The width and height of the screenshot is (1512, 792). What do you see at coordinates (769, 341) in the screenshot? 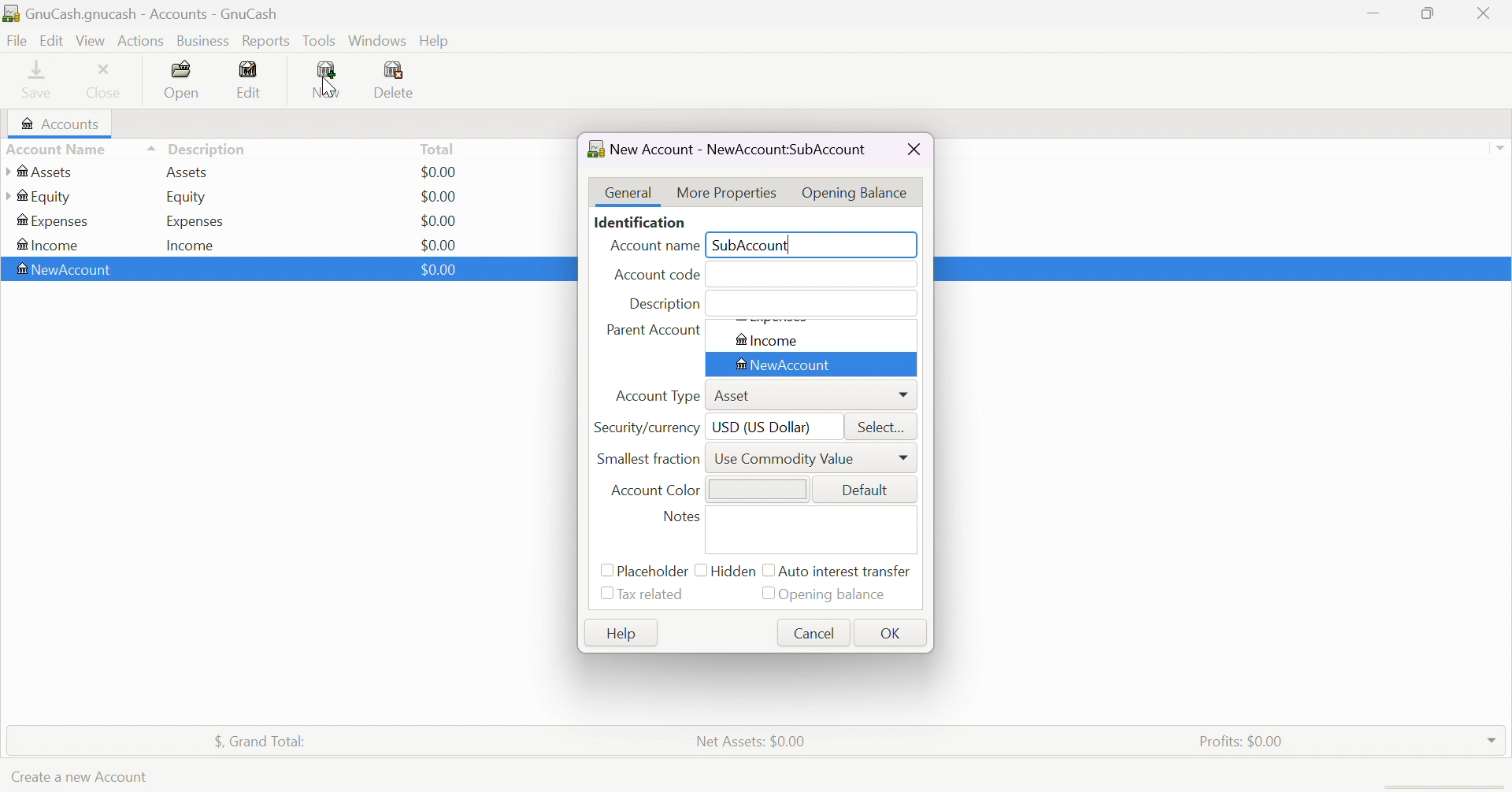
I see `Income` at bounding box center [769, 341].